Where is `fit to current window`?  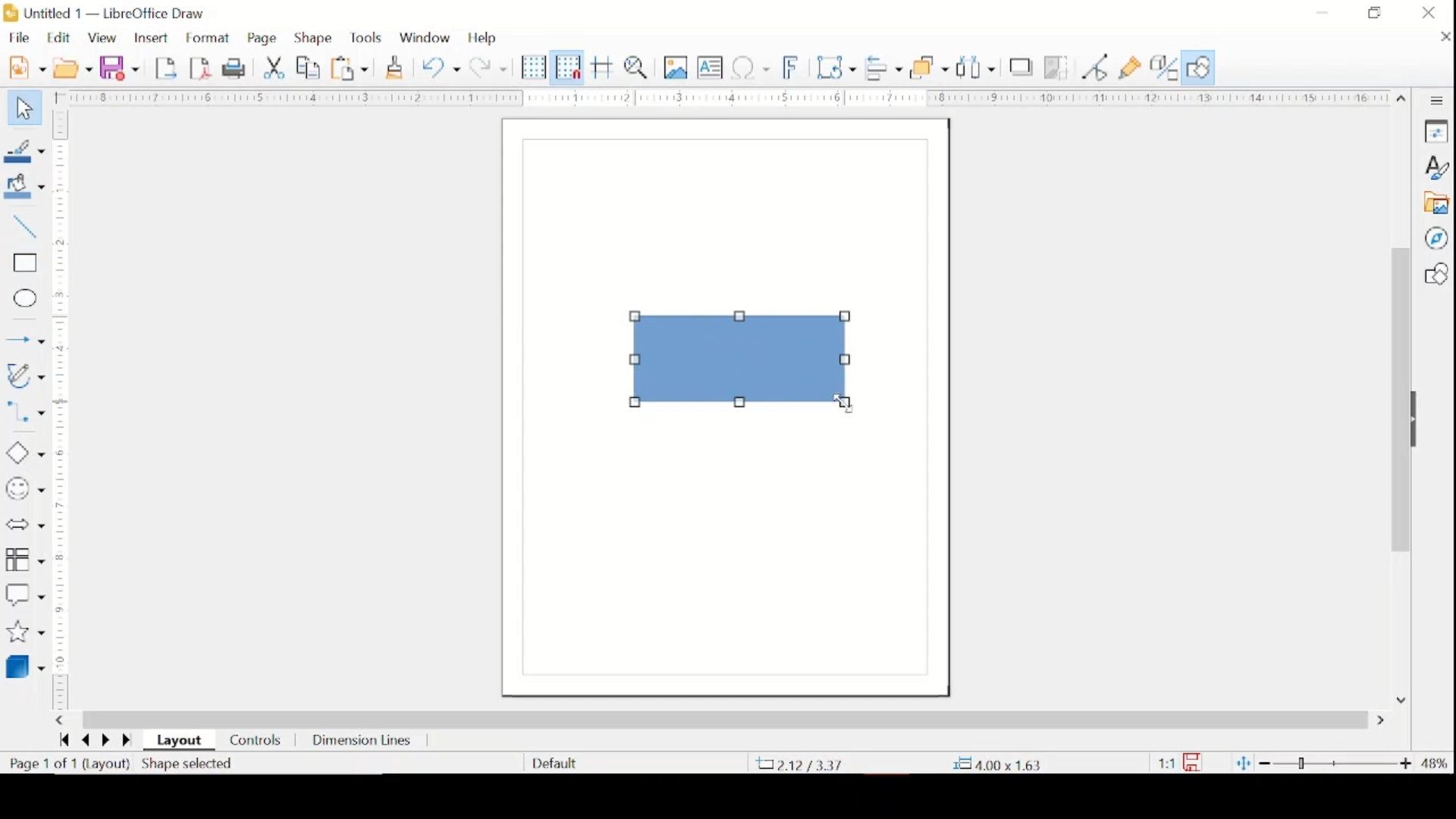
fit to current window is located at coordinates (1242, 763).